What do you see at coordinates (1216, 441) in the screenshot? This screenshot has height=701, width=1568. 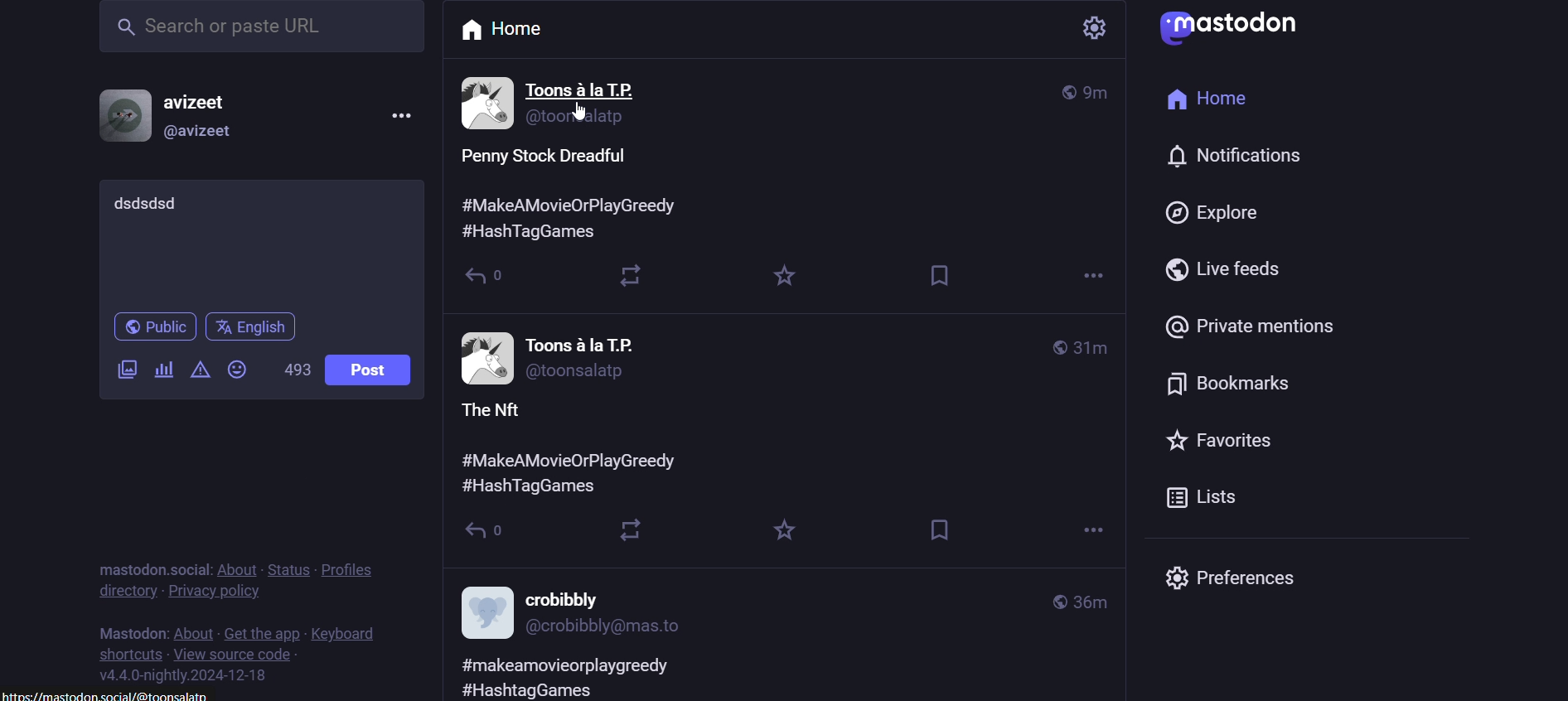 I see `favorites` at bounding box center [1216, 441].